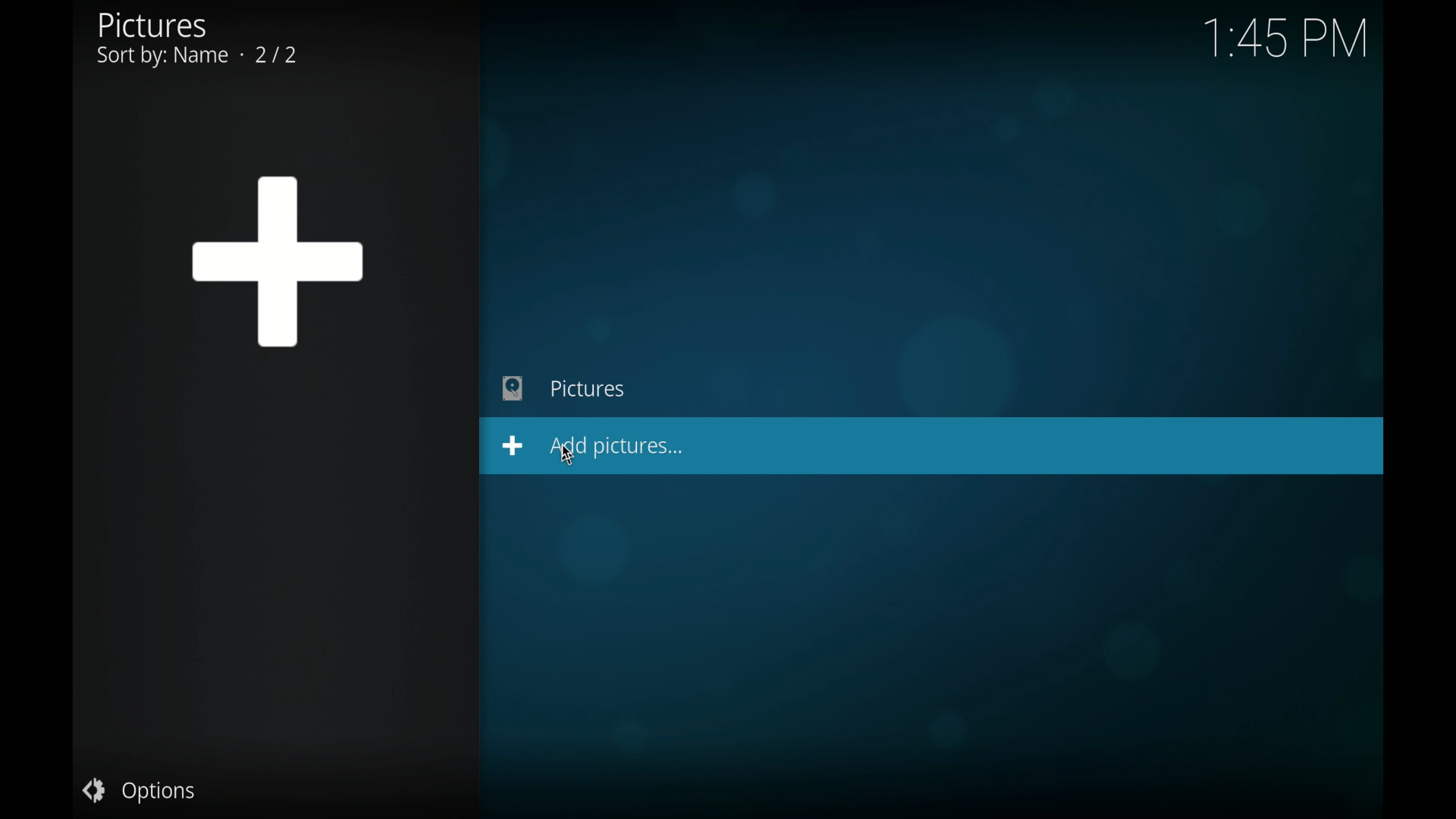 The width and height of the screenshot is (1456, 819). I want to click on add pictures, so click(595, 445).